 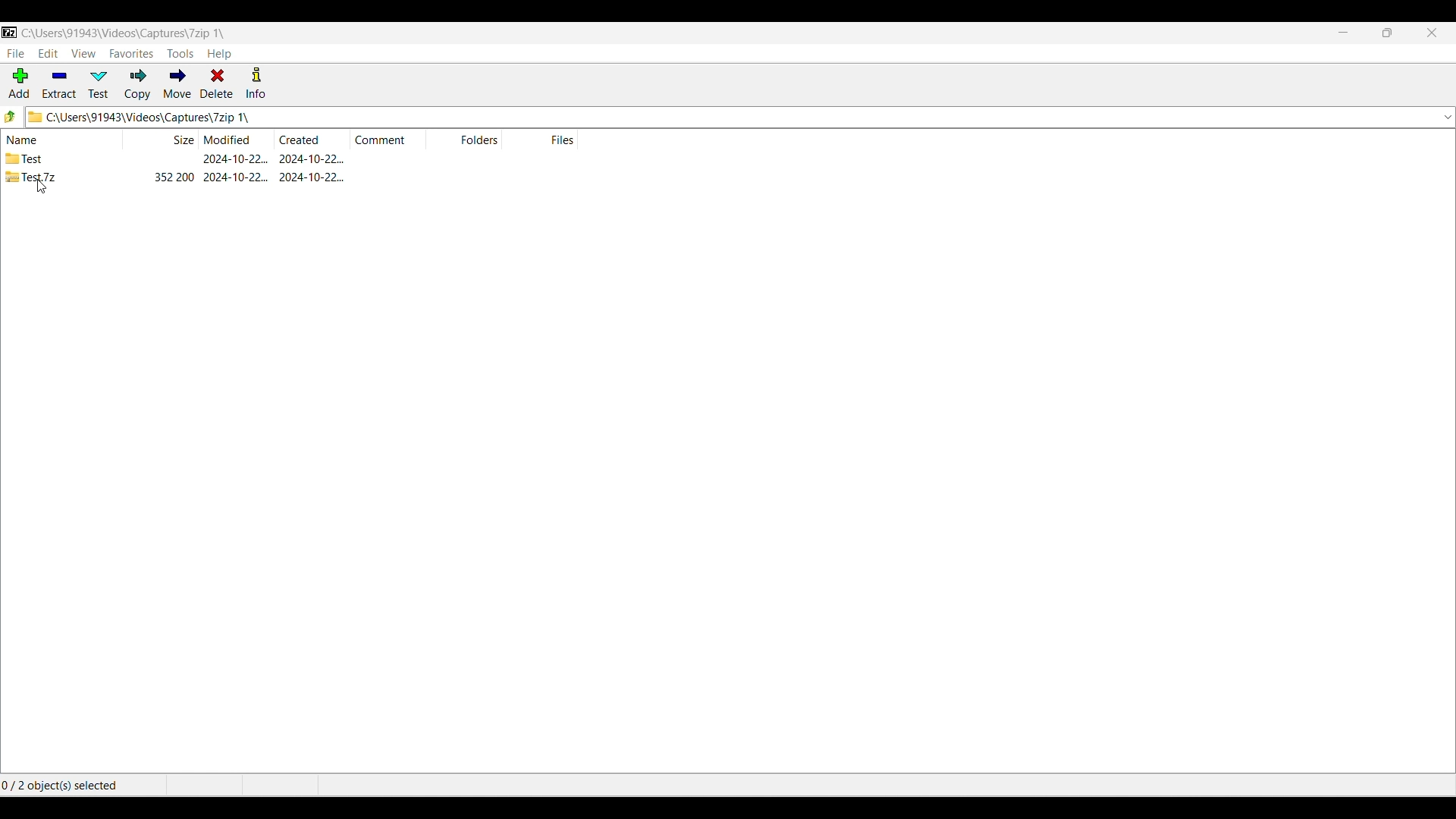 I want to click on Location options, so click(x=1448, y=117).